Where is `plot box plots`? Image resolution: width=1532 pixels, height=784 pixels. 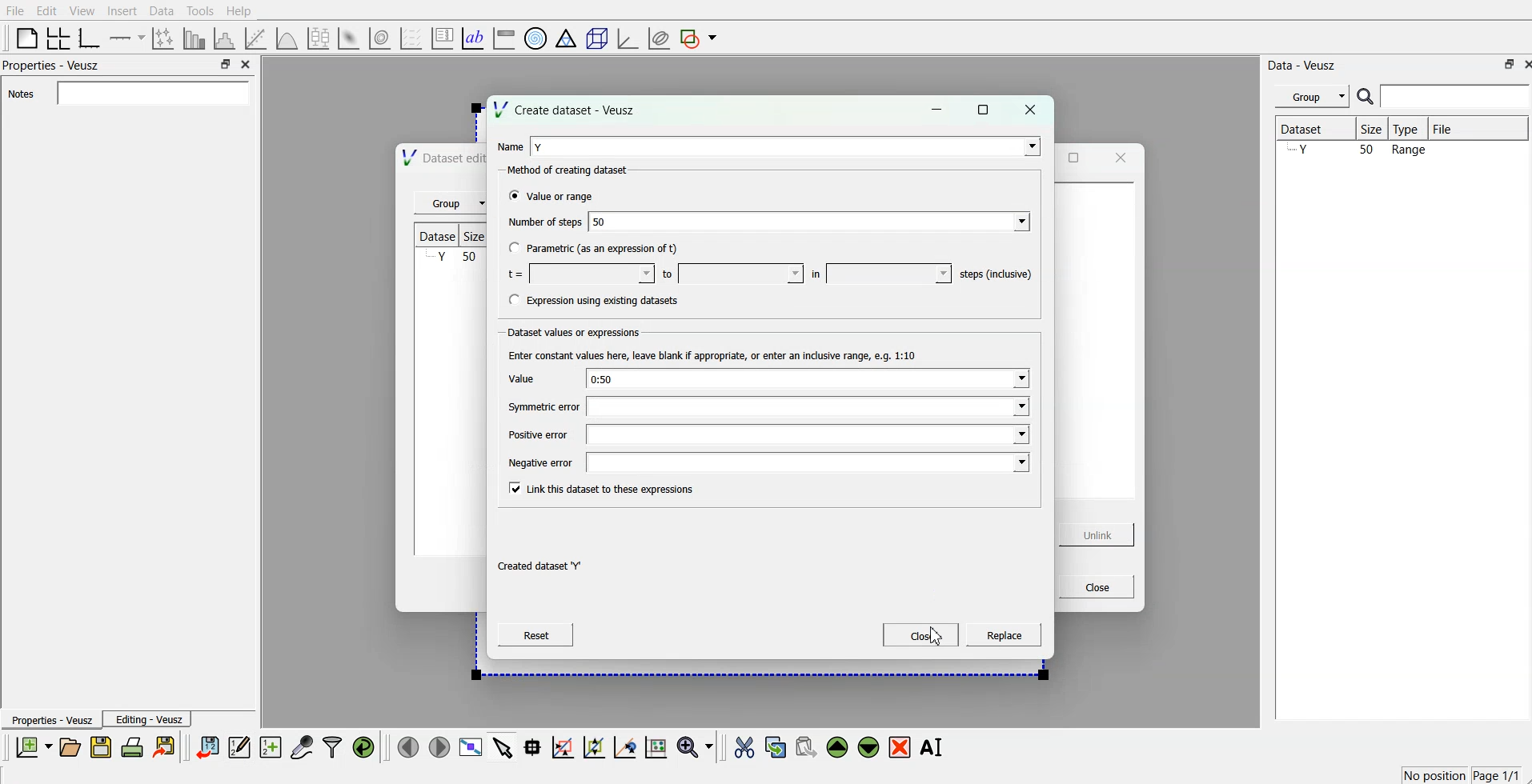
plot box plots is located at coordinates (321, 38).